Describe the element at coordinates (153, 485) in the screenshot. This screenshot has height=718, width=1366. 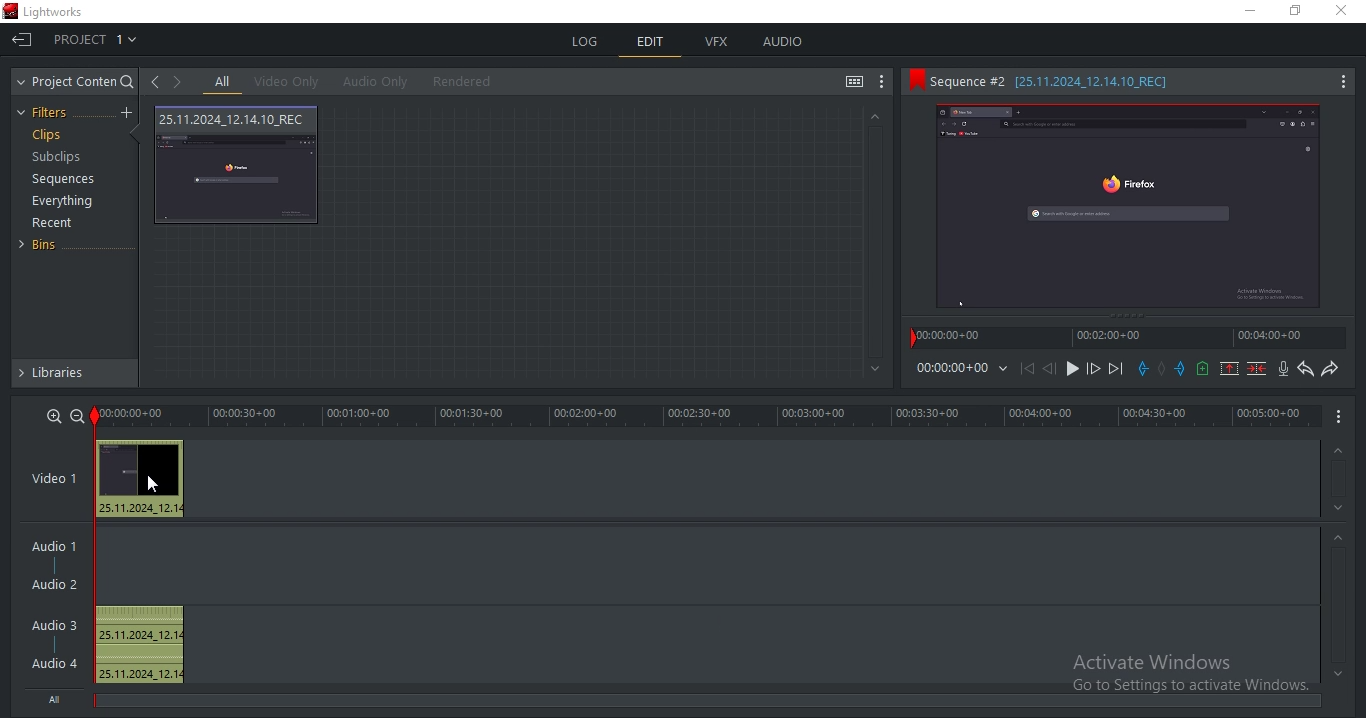
I see `cursor` at that location.